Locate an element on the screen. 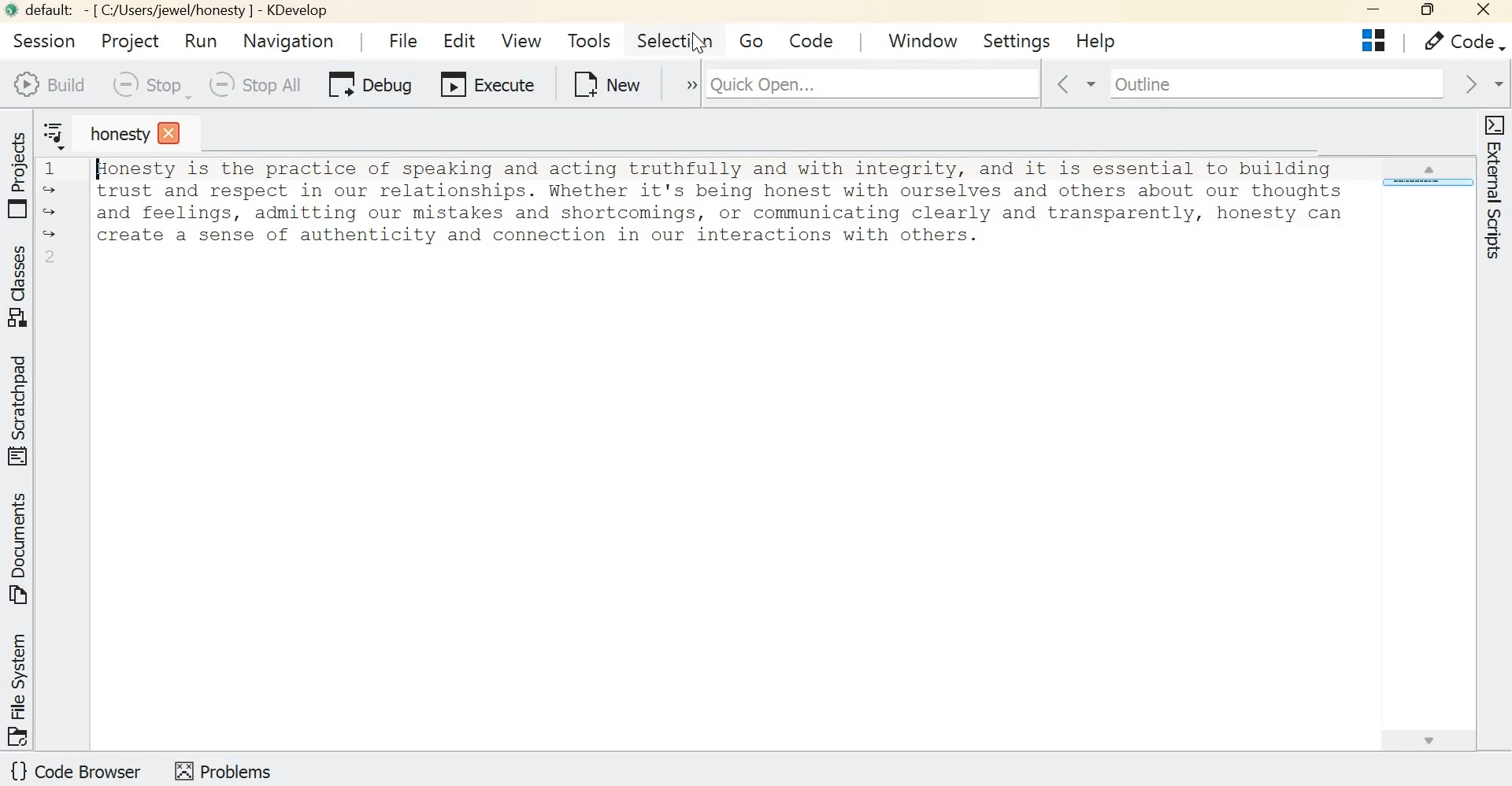  Toggle 'Scratchpad' tool view is located at coordinates (21, 409).